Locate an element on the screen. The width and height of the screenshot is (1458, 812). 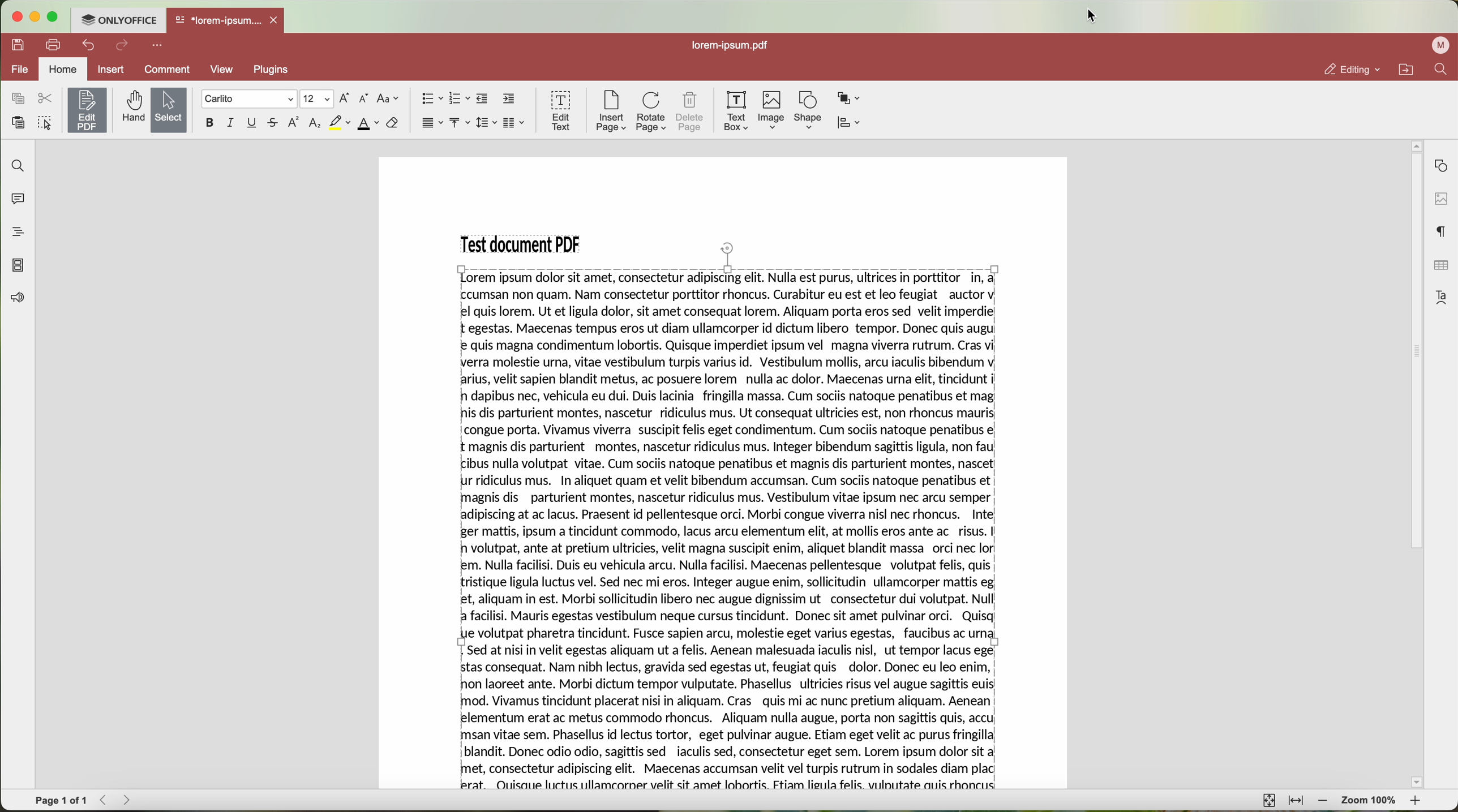
insert is located at coordinates (111, 70).